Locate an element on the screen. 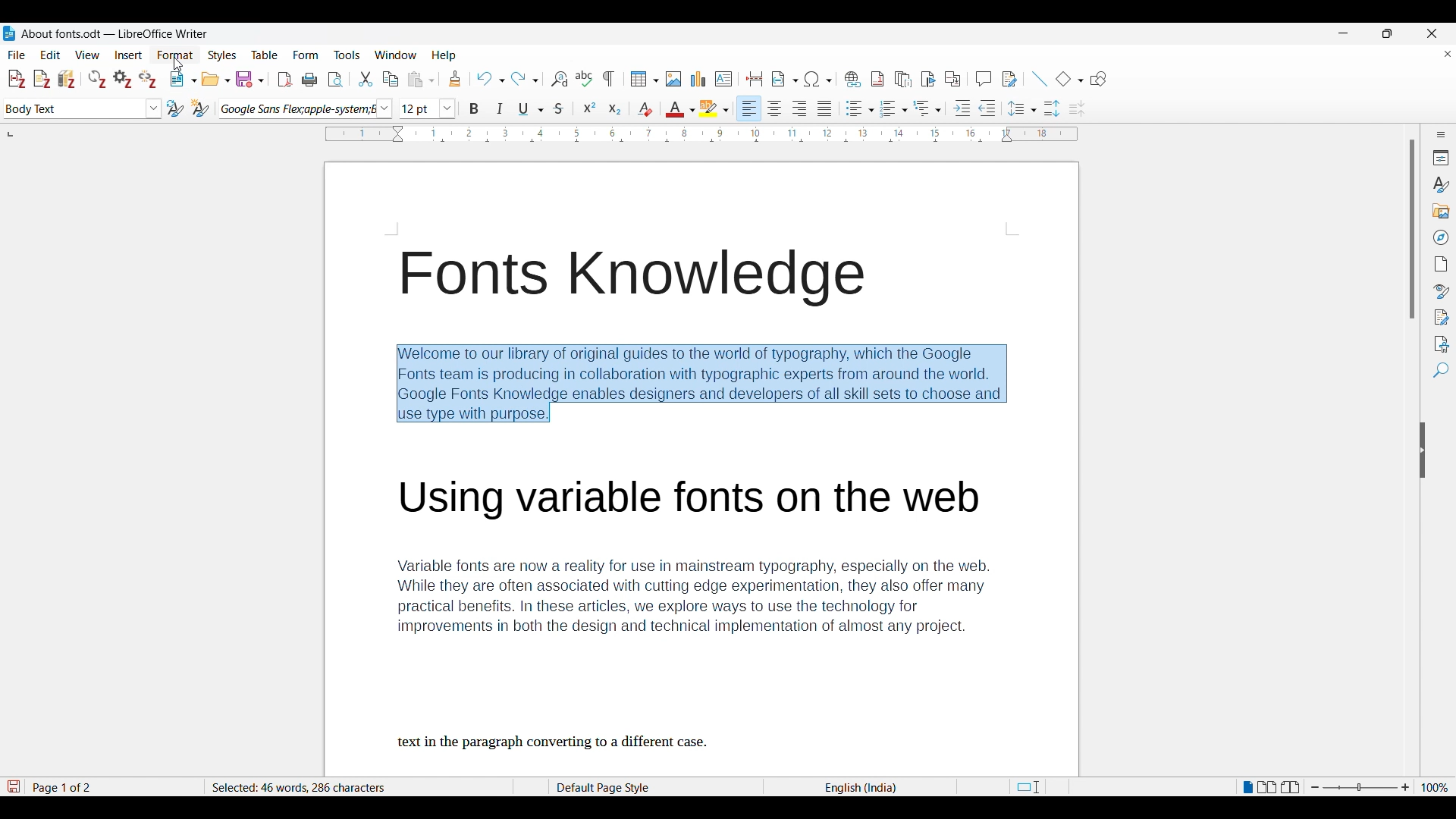 The height and width of the screenshot is (819, 1456). Font size is located at coordinates (428, 108).